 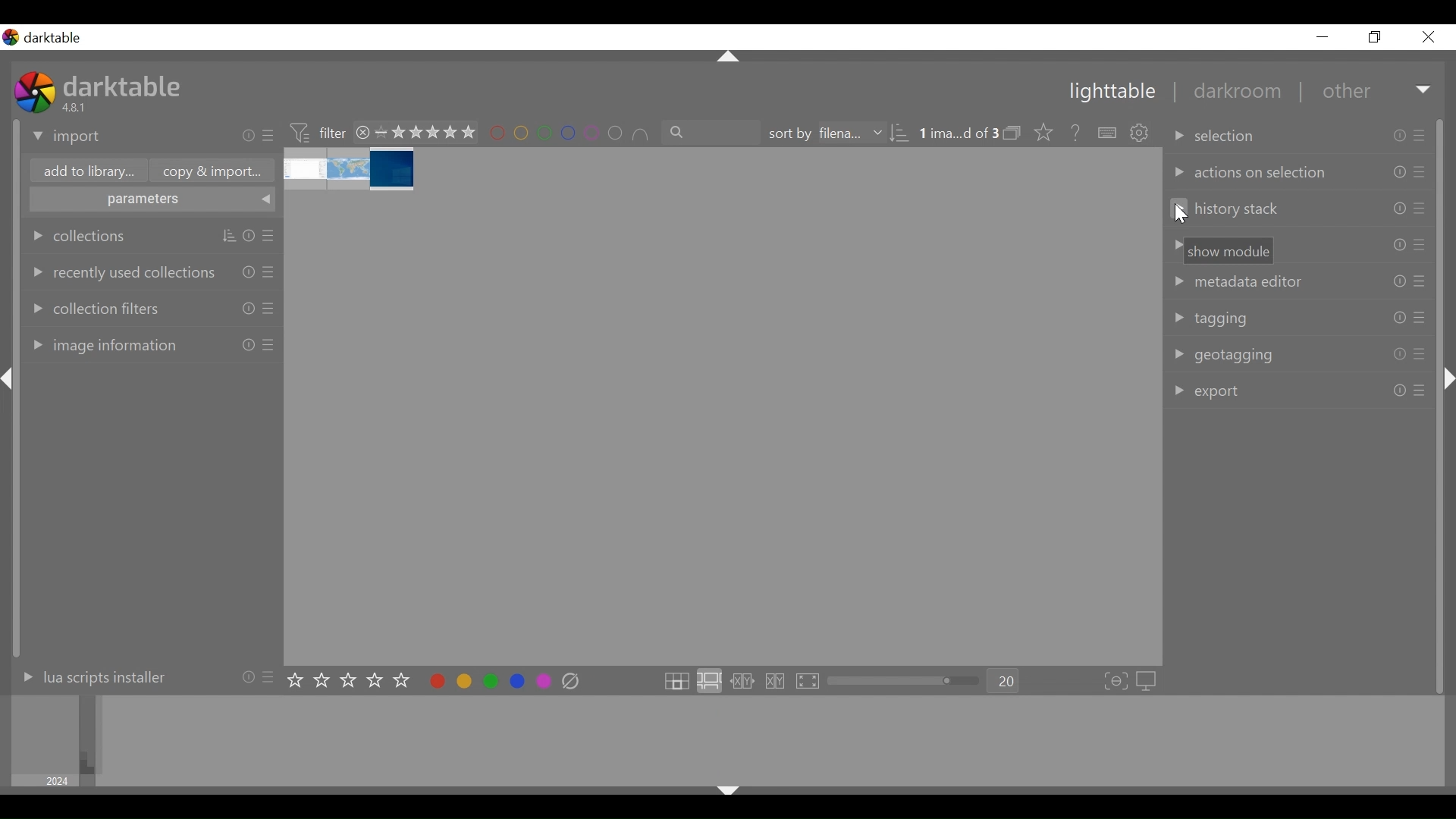 What do you see at coordinates (708, 682) in the screenshot?
I see `click to enter zoomable lighttable layout` at bounding box center [708, 682].